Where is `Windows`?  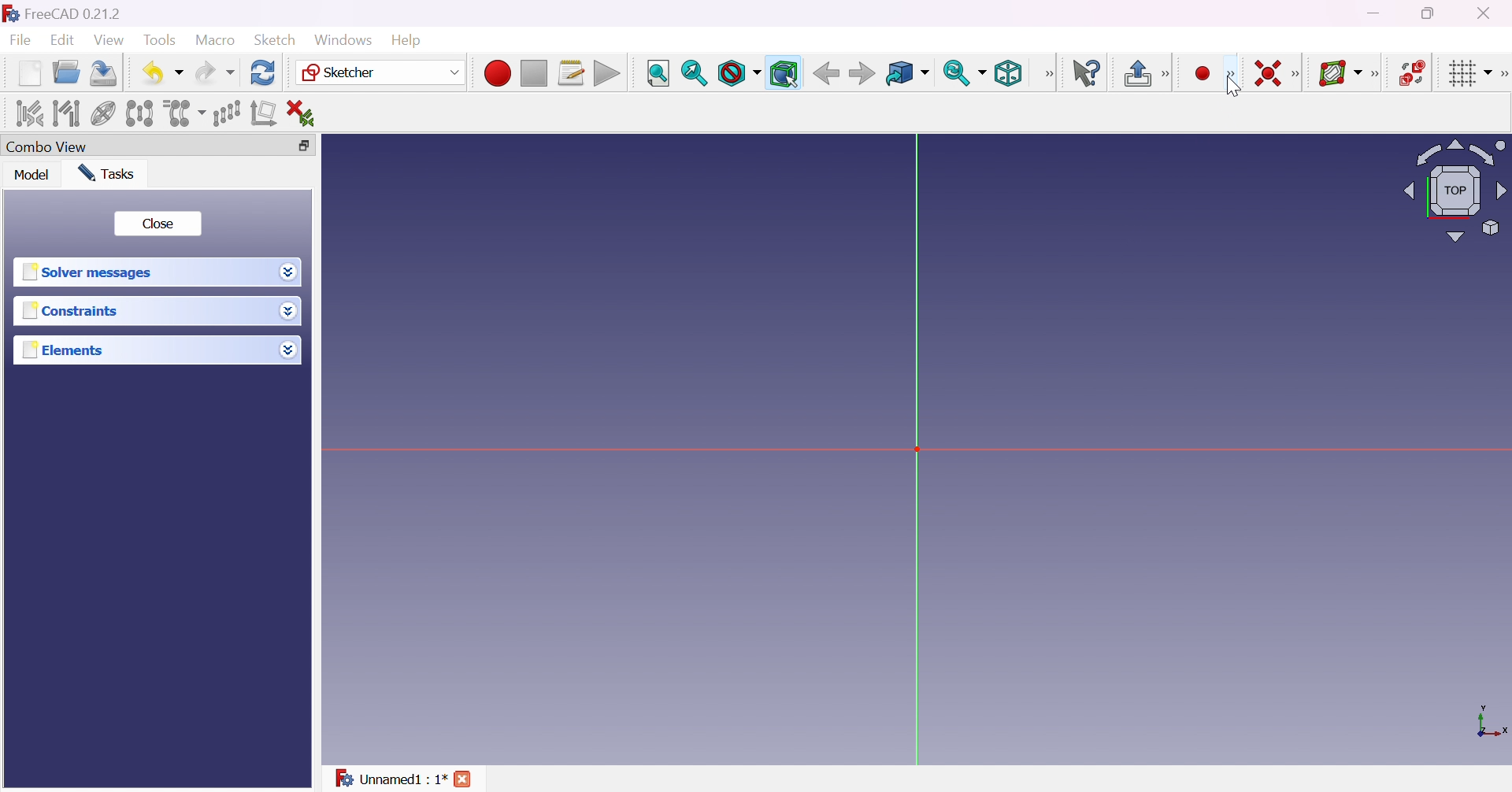
Windows is located at coordinates (342, 39).